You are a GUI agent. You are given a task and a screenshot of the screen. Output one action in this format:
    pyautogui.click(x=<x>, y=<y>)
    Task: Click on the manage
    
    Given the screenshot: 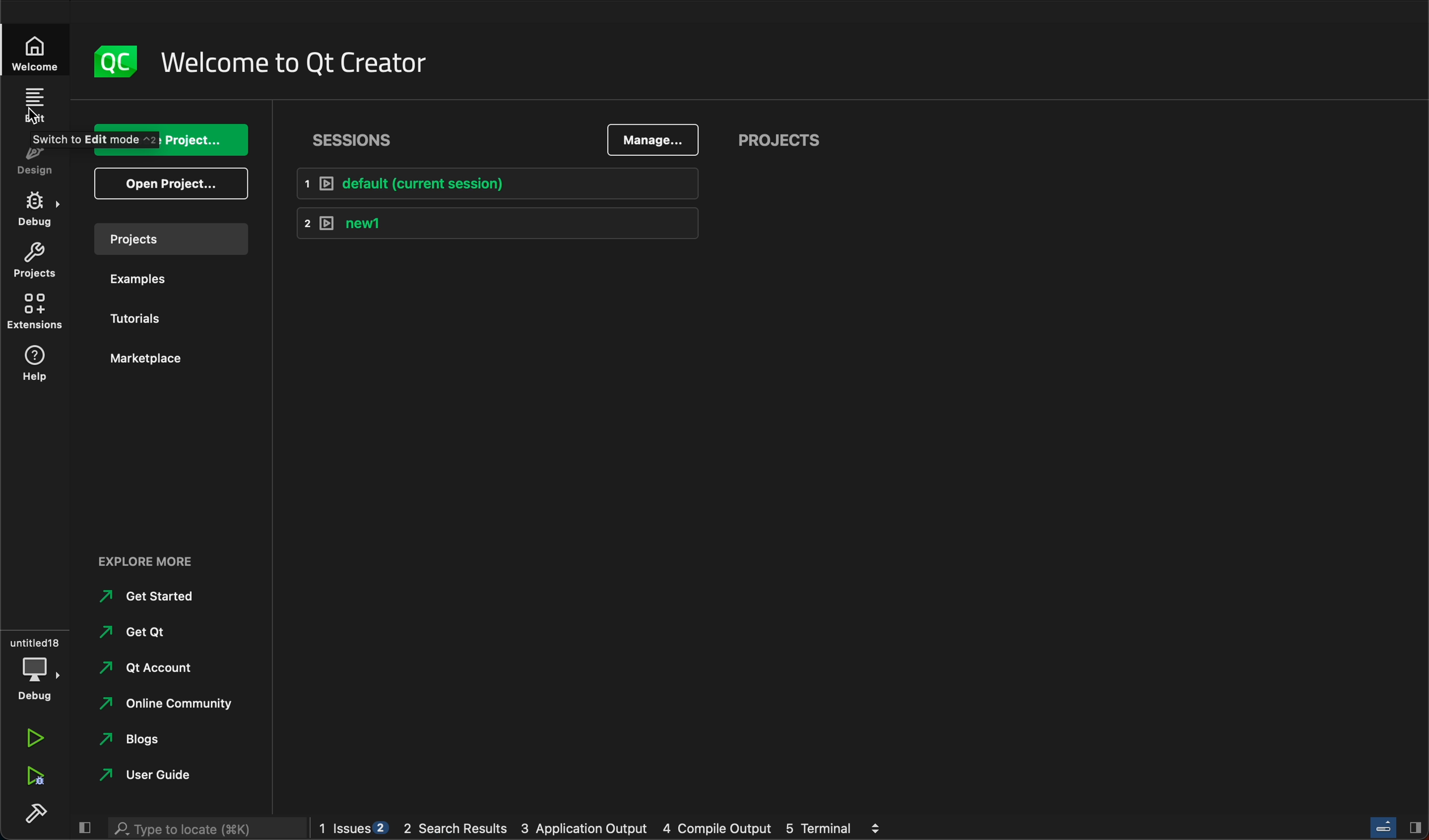 What is the action you would take?
    pyautogui.click(x=656, y=141)
    